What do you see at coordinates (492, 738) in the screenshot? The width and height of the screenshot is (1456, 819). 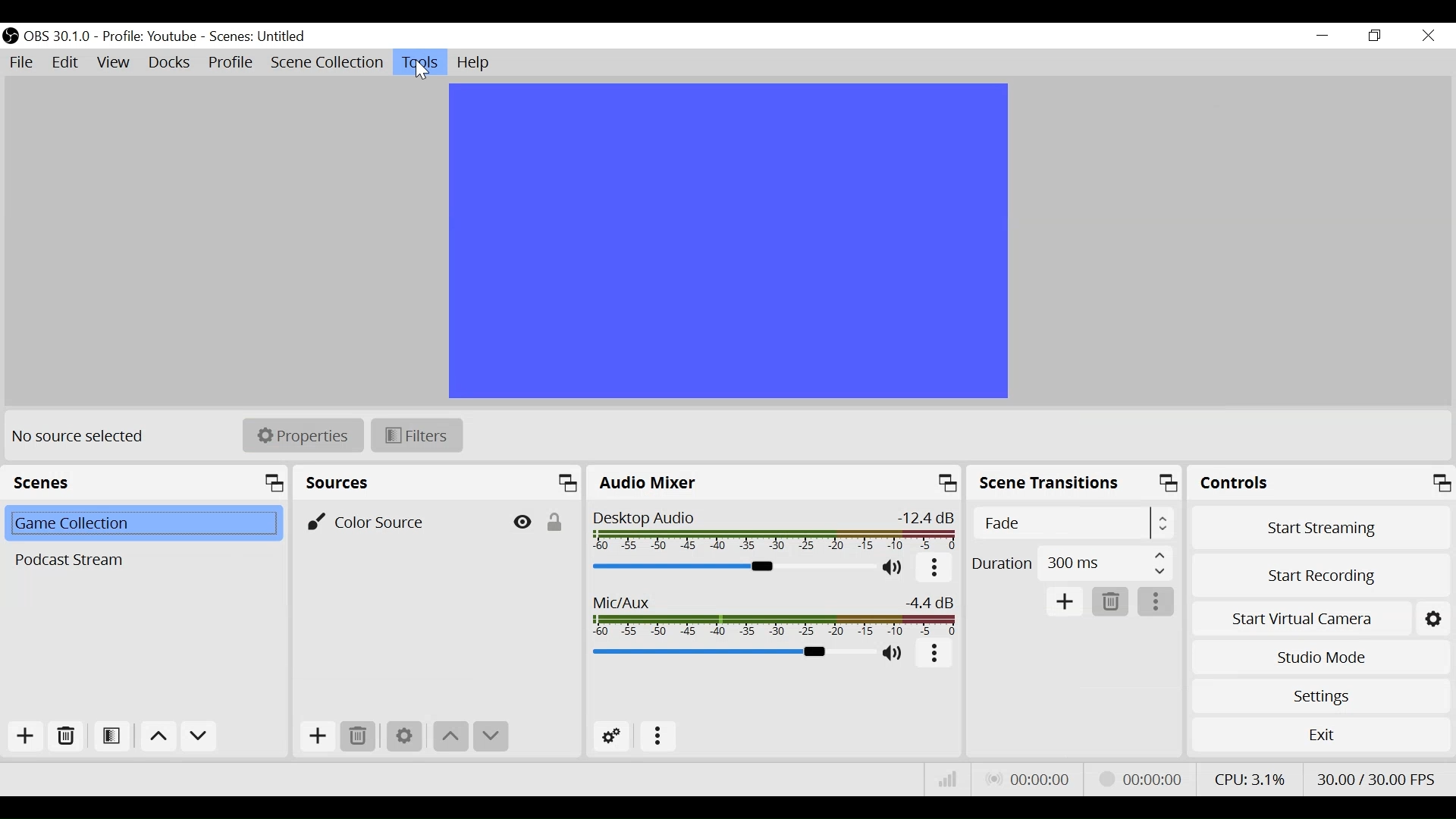 I see `move down` at bounding box center [492, 738].